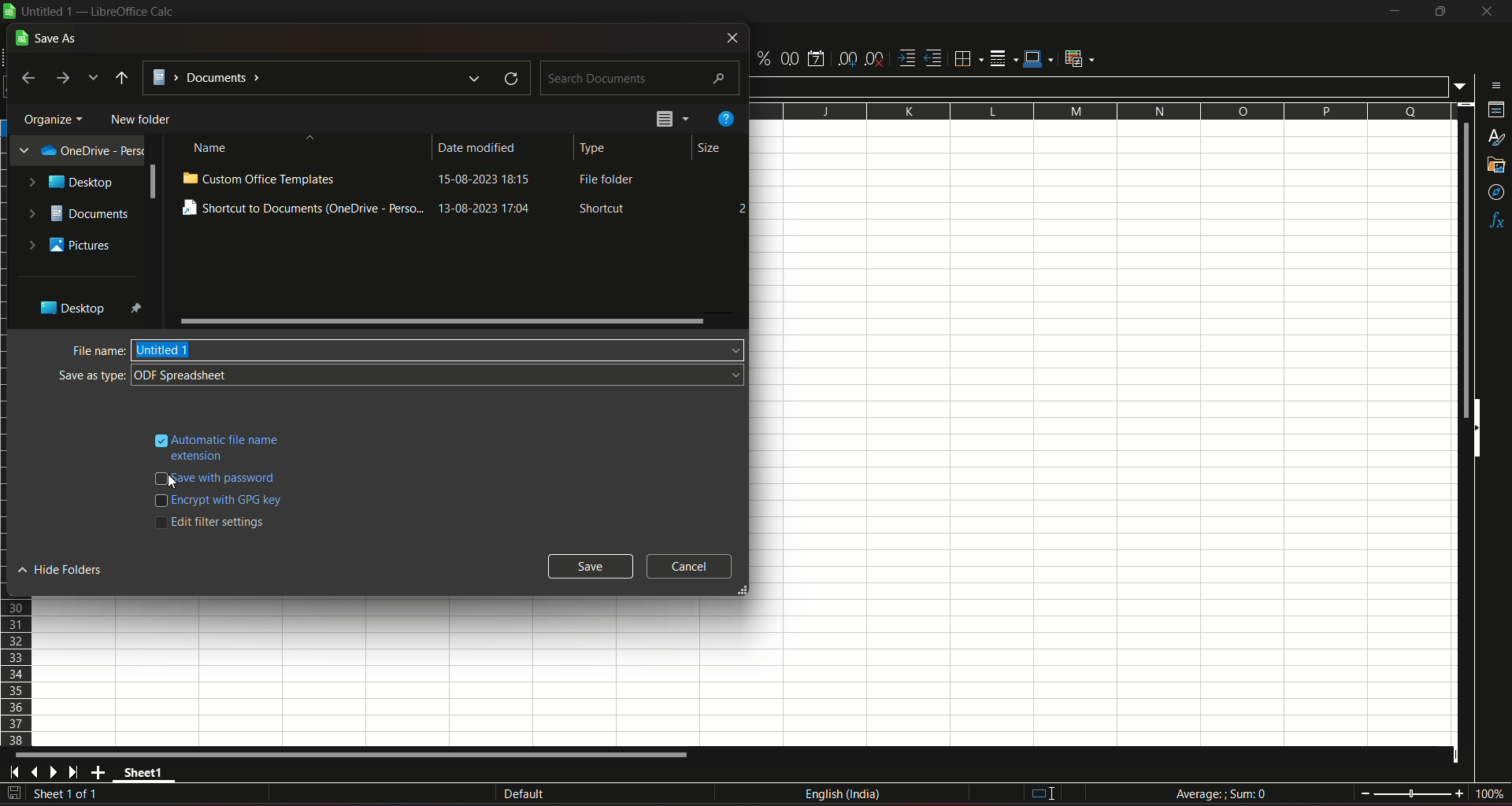  What do you see at coordinates (688, 566) in the screenshot?
I see `cancel` at bounding box center [688, 566].